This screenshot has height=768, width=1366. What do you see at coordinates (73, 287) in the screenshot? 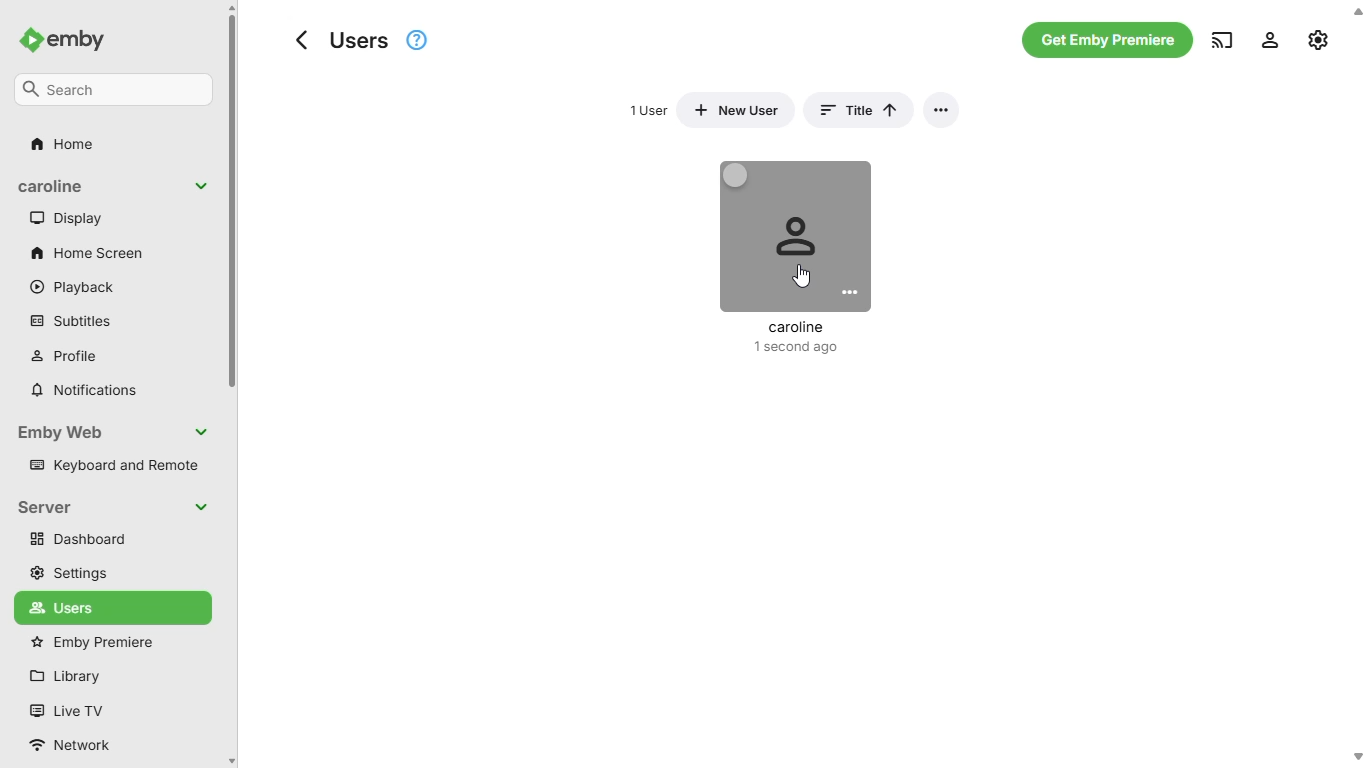
I see `playback` at bounding box center [73, 287].